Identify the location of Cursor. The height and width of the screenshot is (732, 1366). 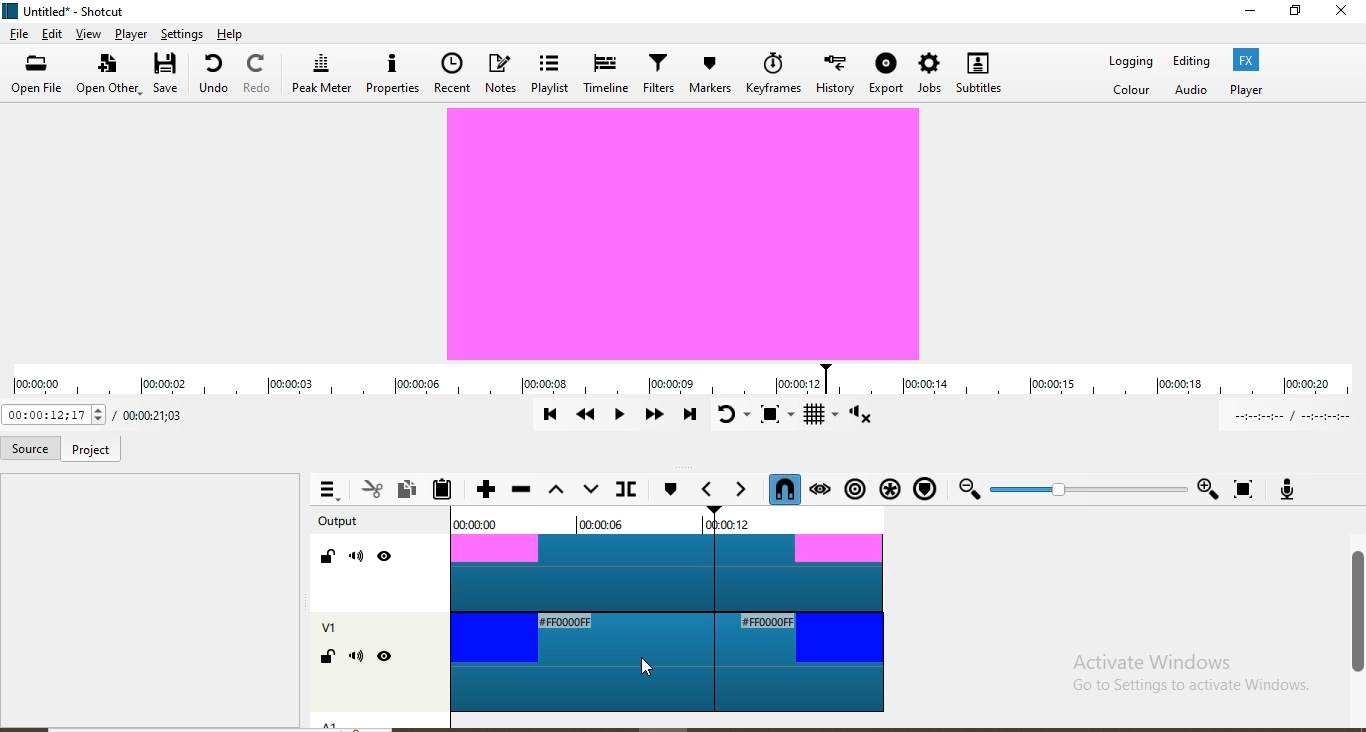
(648, 666).